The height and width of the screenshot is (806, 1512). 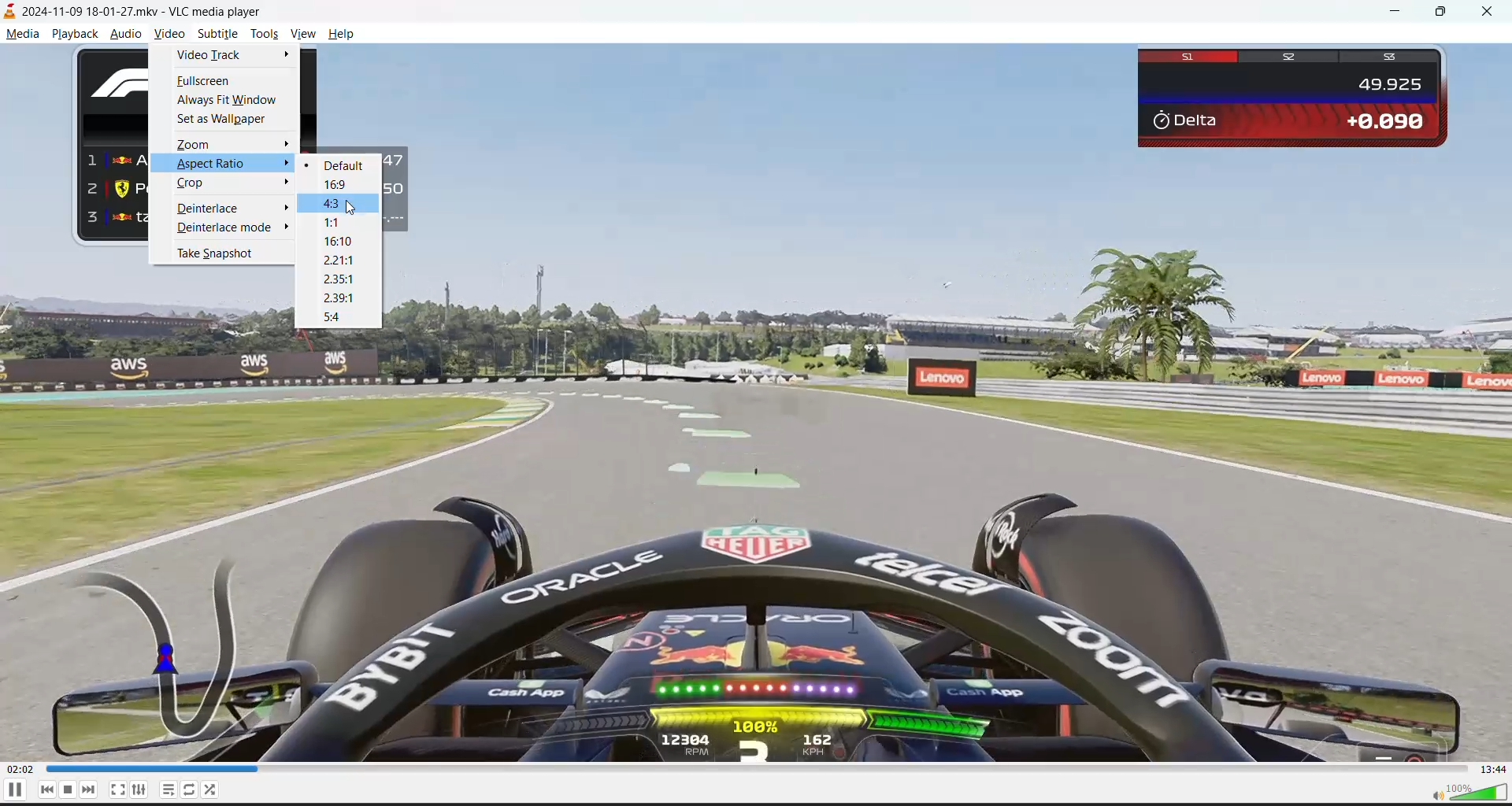 What do you see at coordinates (335, 260) in the screenshot?
I see `2.21:1` at bounding box center [335, 260].